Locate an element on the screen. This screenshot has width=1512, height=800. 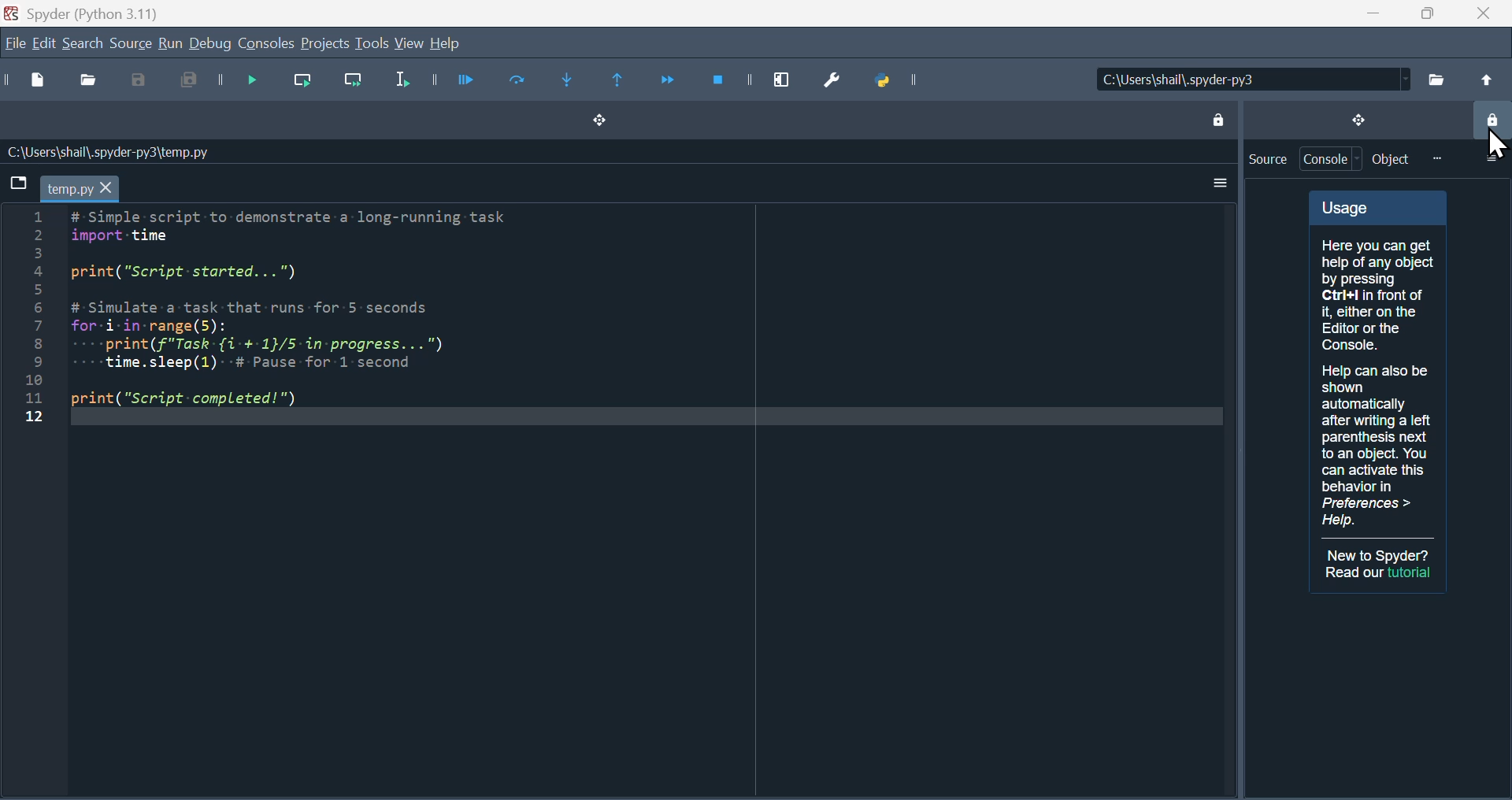
Maximise current window is located at coordinates (782, 76).